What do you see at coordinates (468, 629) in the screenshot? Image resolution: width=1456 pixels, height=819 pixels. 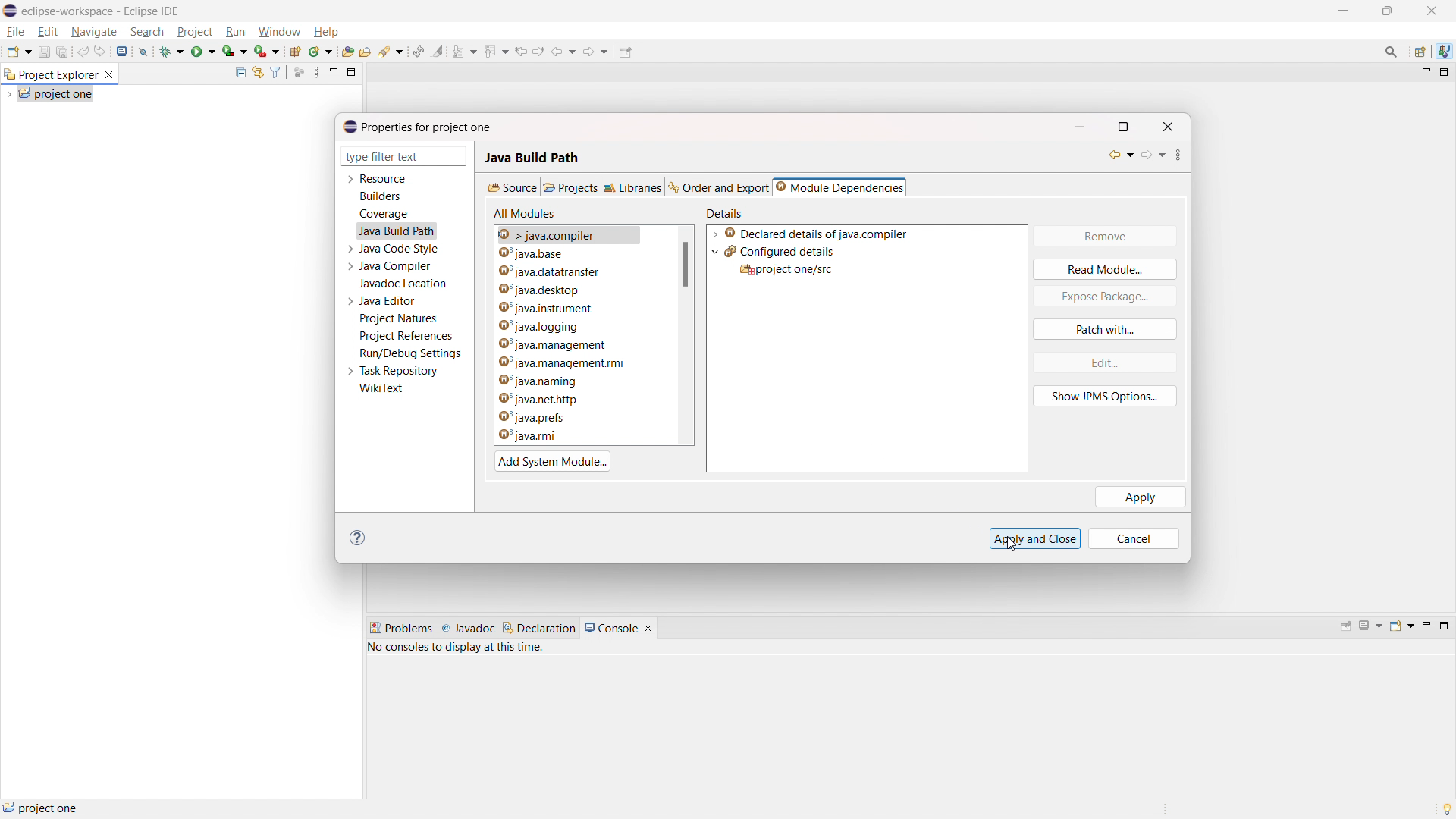 I see `javadoc` at bounding box center [468, 629].